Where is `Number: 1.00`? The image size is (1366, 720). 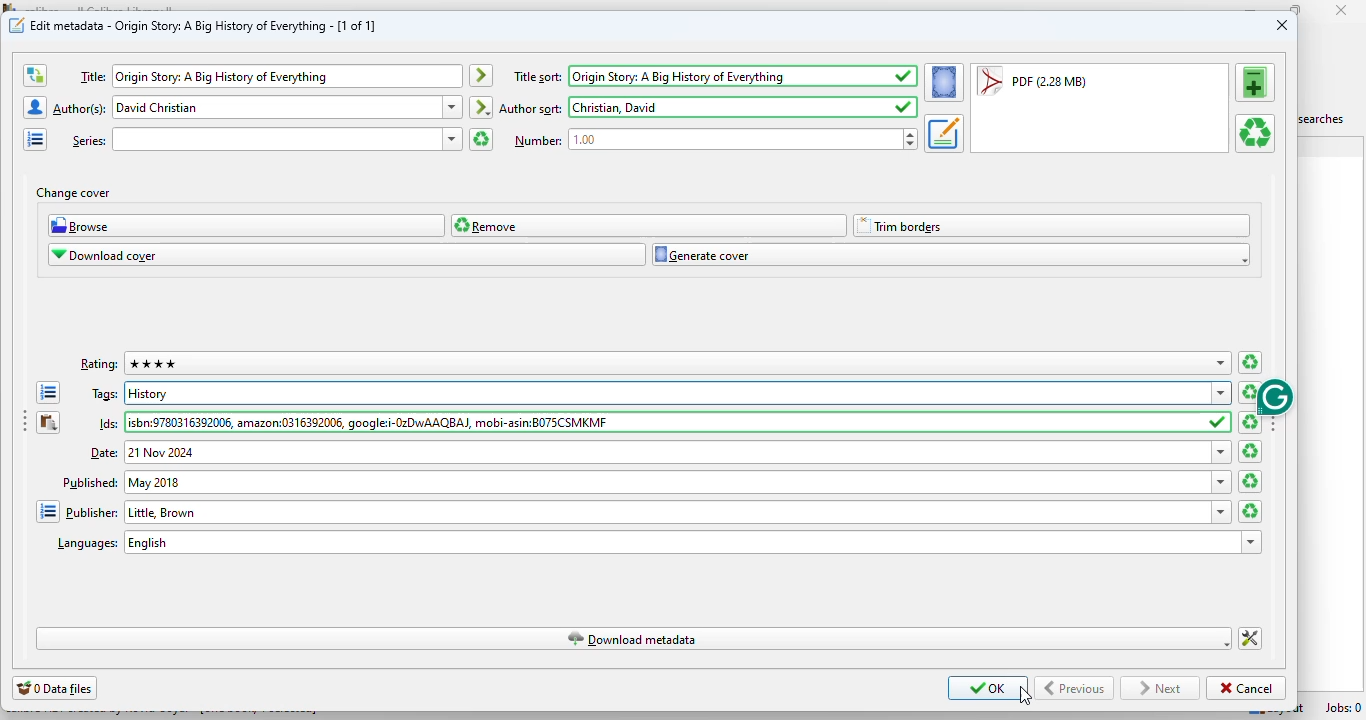
Number: 1.00 is located at coordinates (735, 139).